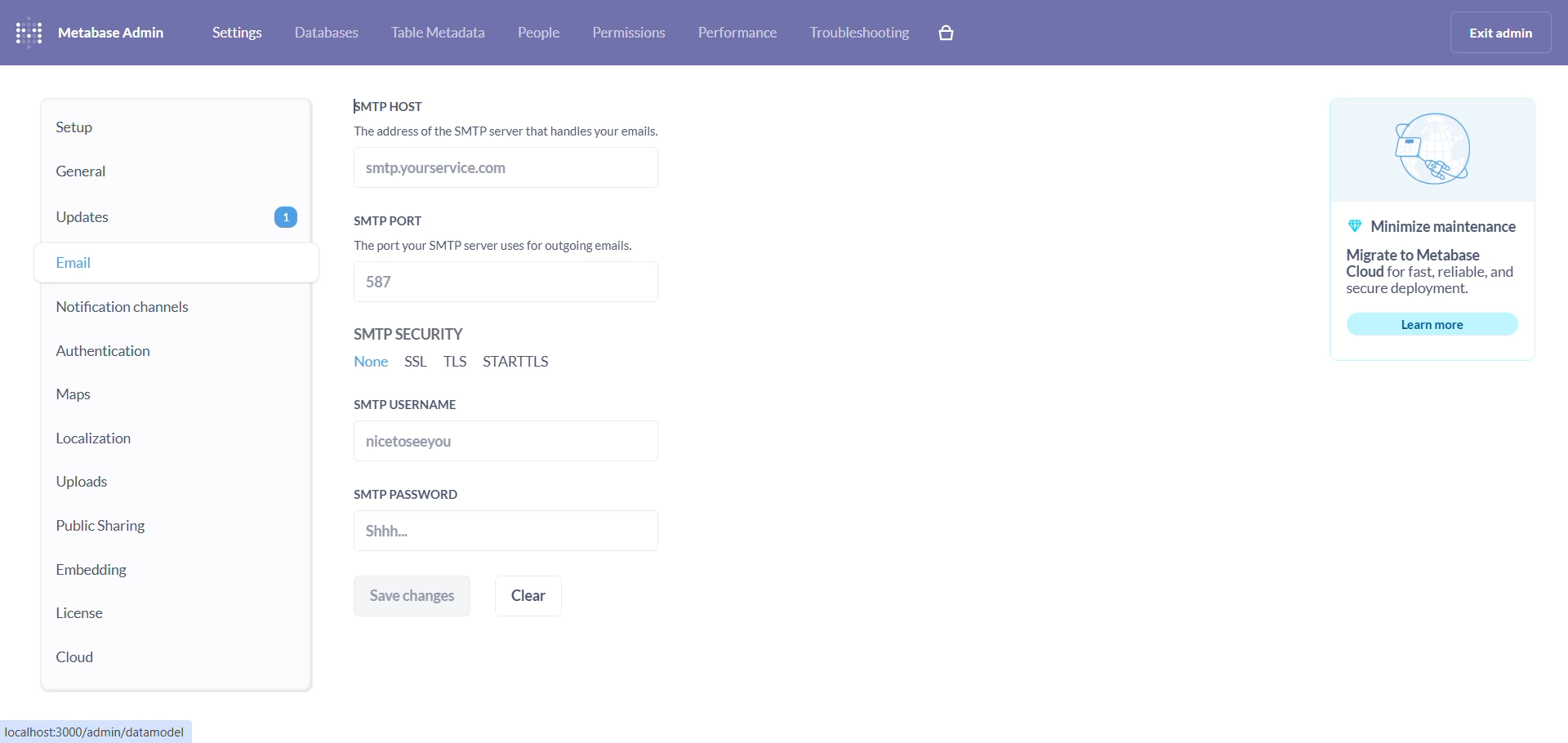 This screenshot has width=1568, height=743. Describe the element at coordinates (438, 406) in the screenshot. I see `SMTP USERNAME HEADING` at that location.